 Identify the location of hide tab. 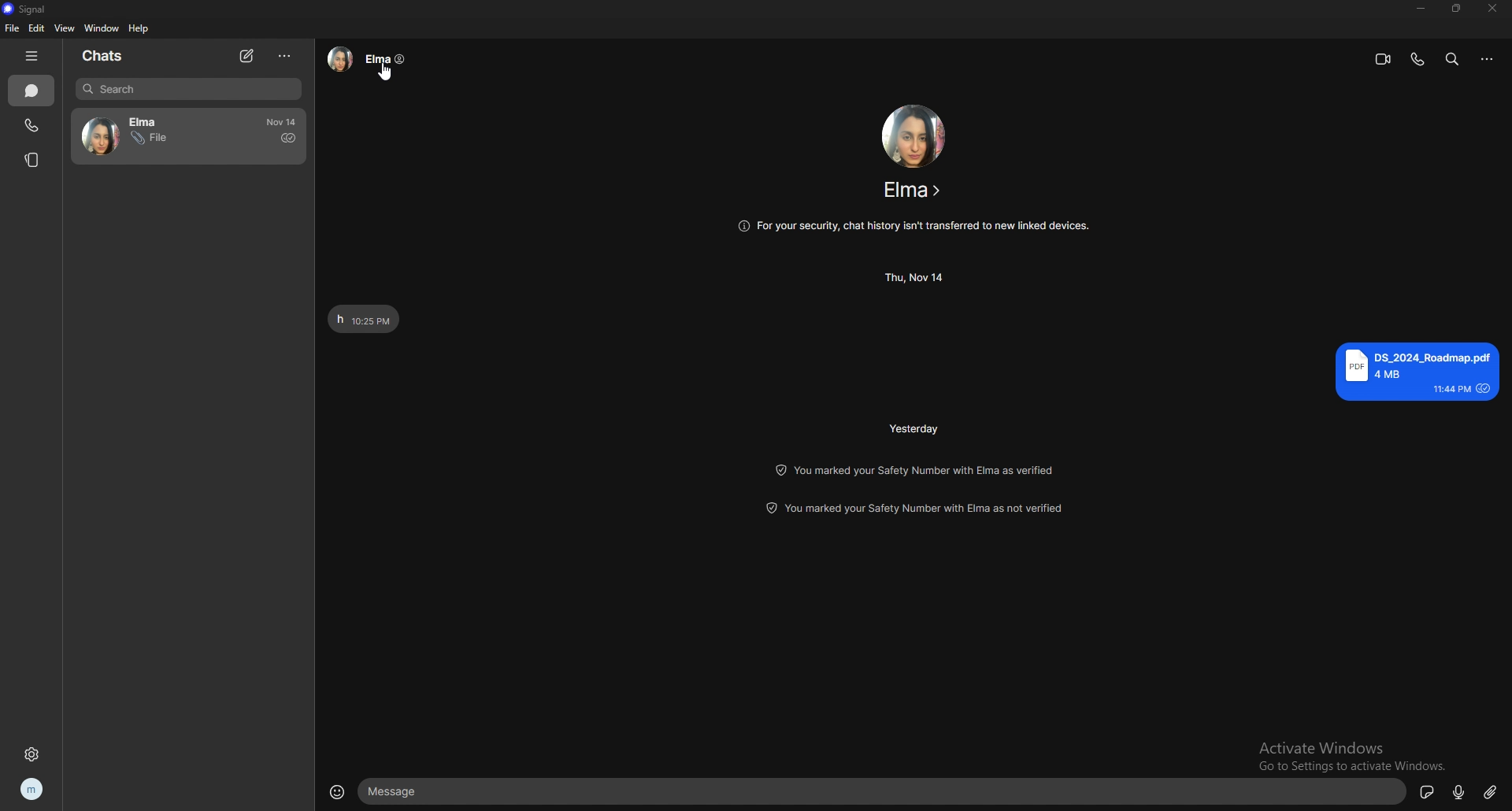
(34, 56).